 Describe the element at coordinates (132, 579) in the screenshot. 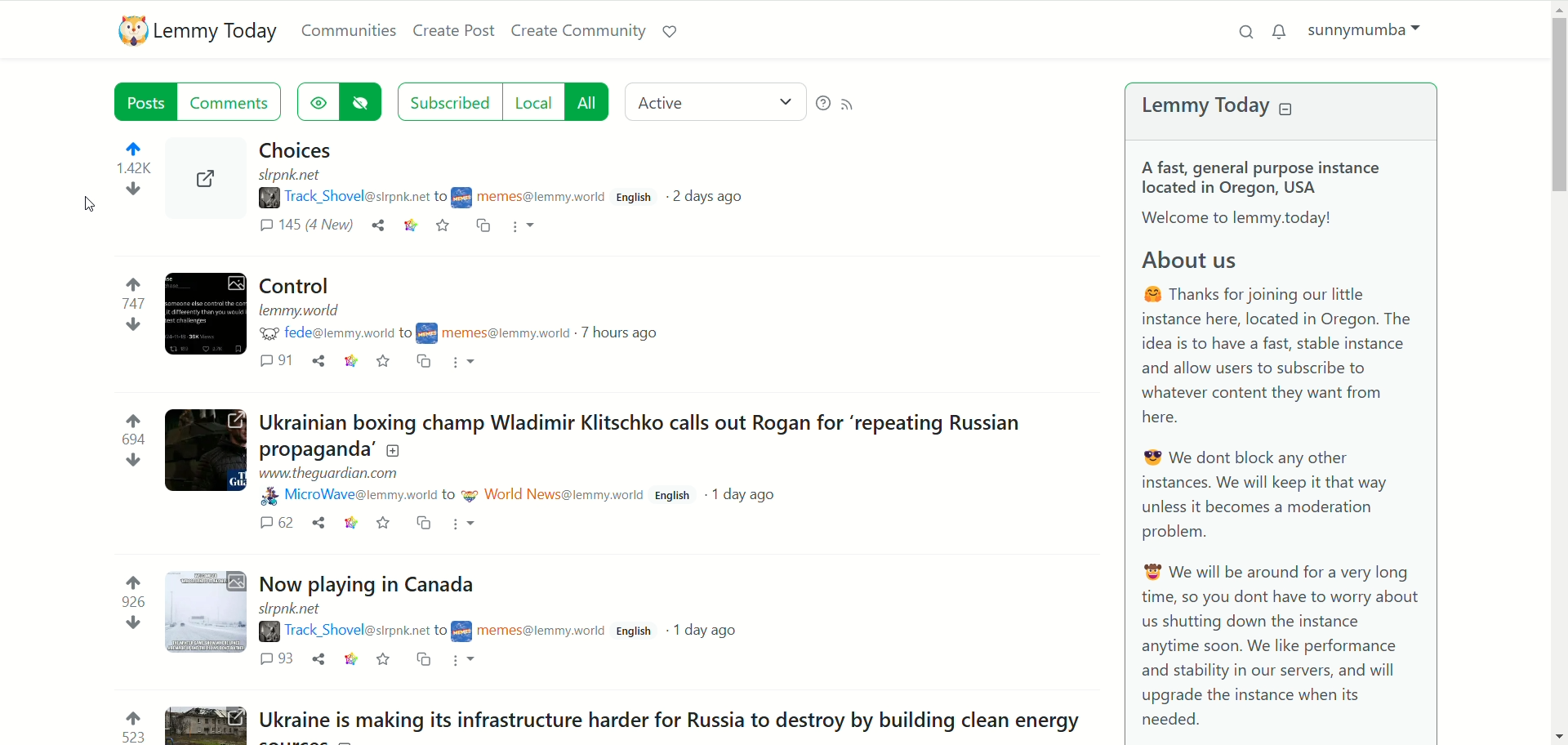

I see `upvote` at that location.